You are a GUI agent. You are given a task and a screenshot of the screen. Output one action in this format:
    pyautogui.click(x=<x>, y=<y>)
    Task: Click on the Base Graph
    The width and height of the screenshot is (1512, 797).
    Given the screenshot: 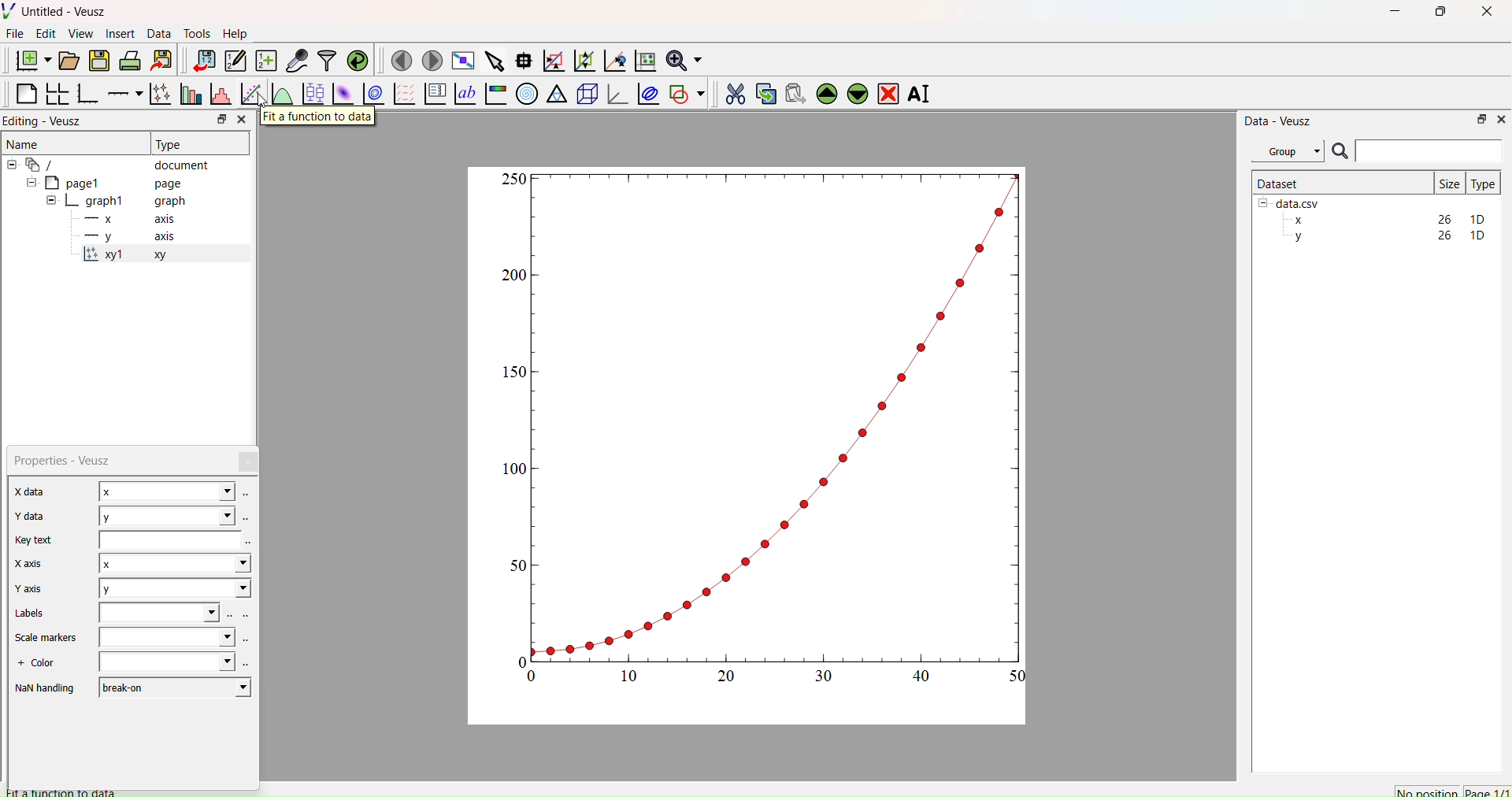 What is the action you would take?
    pyautogui.click(x=85, y=95)
    